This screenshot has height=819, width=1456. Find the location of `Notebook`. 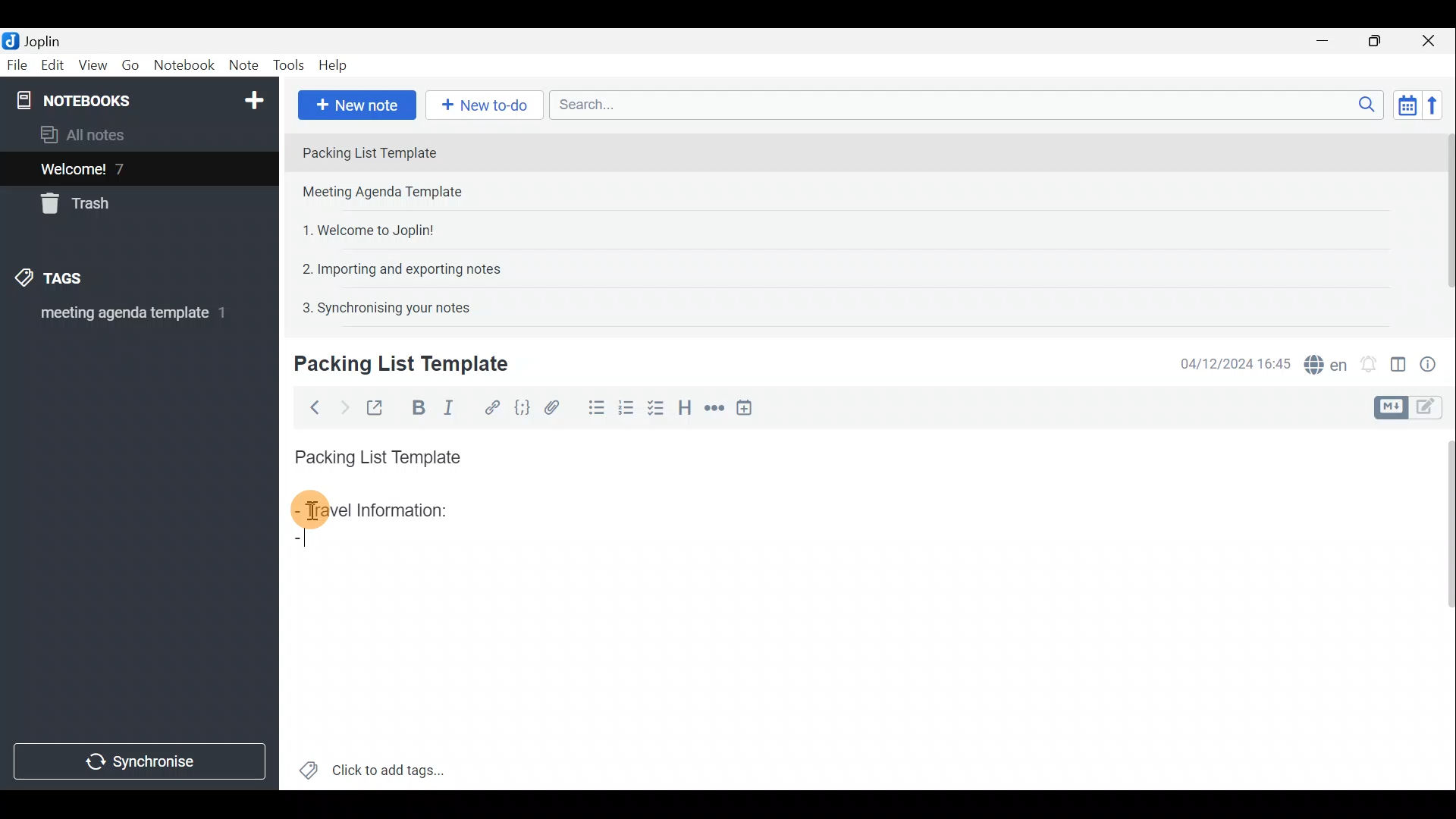

Notebook is located at coordinates (137, 99).